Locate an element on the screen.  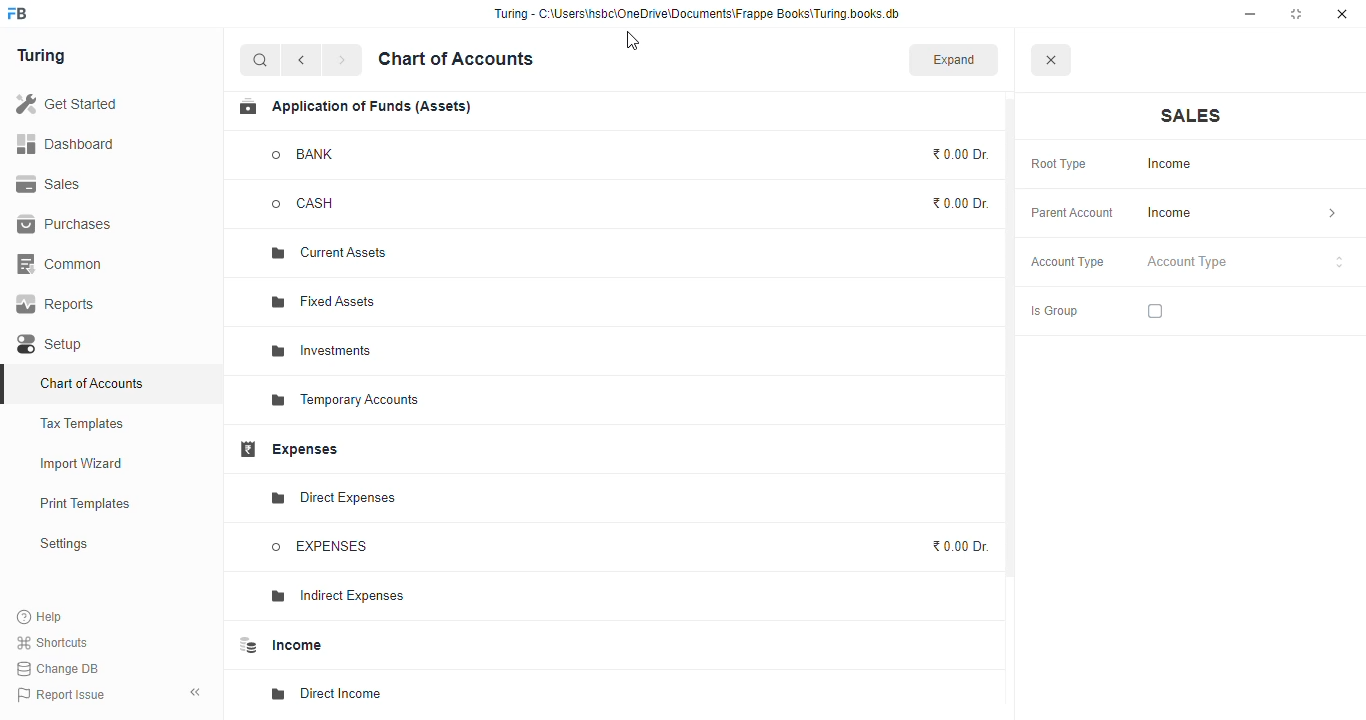
back is located at coordinates (301, 60).